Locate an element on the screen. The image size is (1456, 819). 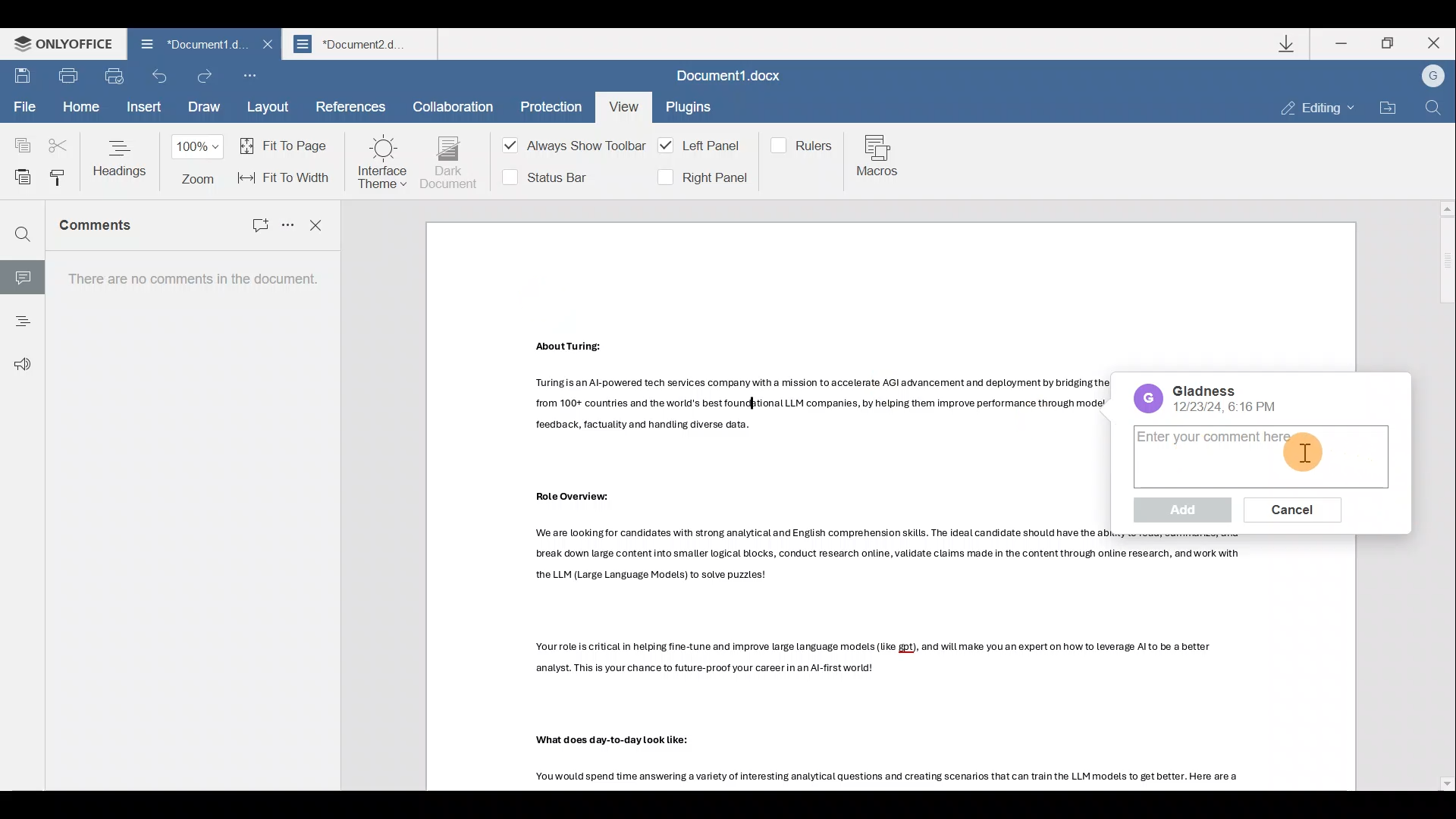
Customize quick access toolbar is located at coordinates (255, 77).